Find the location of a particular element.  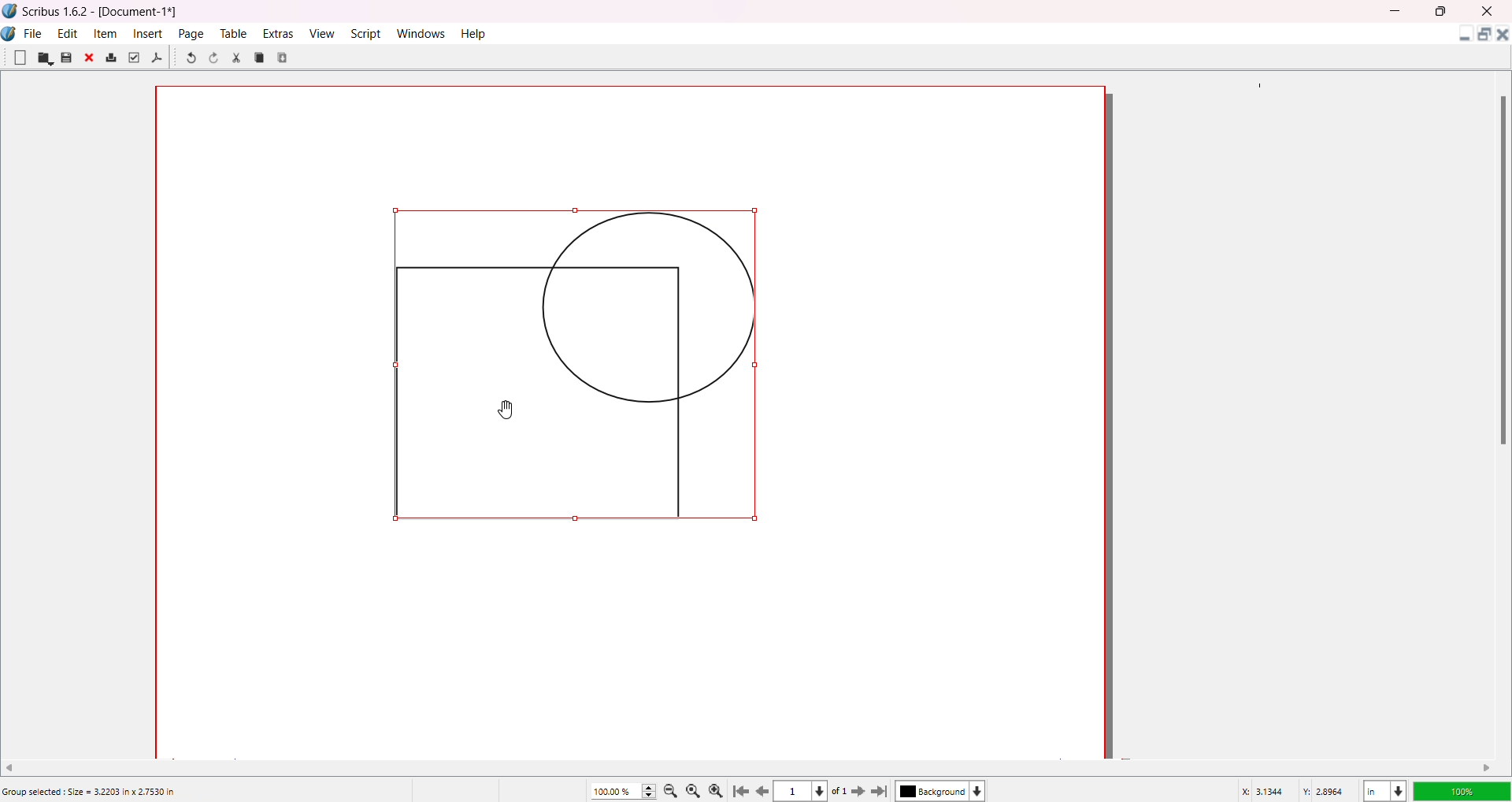

Close Document is located at coordinates (1503, 37).